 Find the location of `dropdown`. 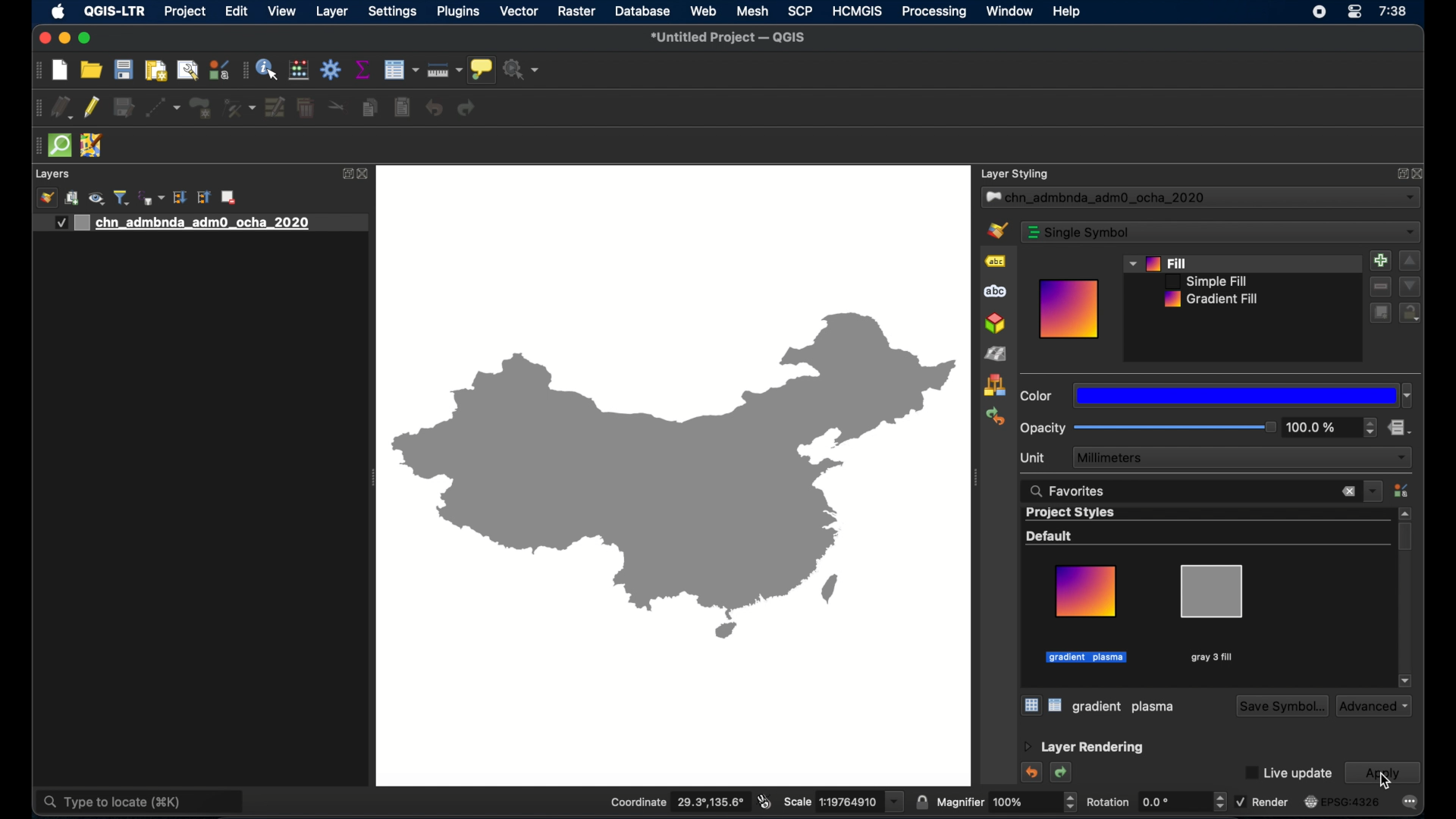

dropdown is located at coordinates (1242, 396).